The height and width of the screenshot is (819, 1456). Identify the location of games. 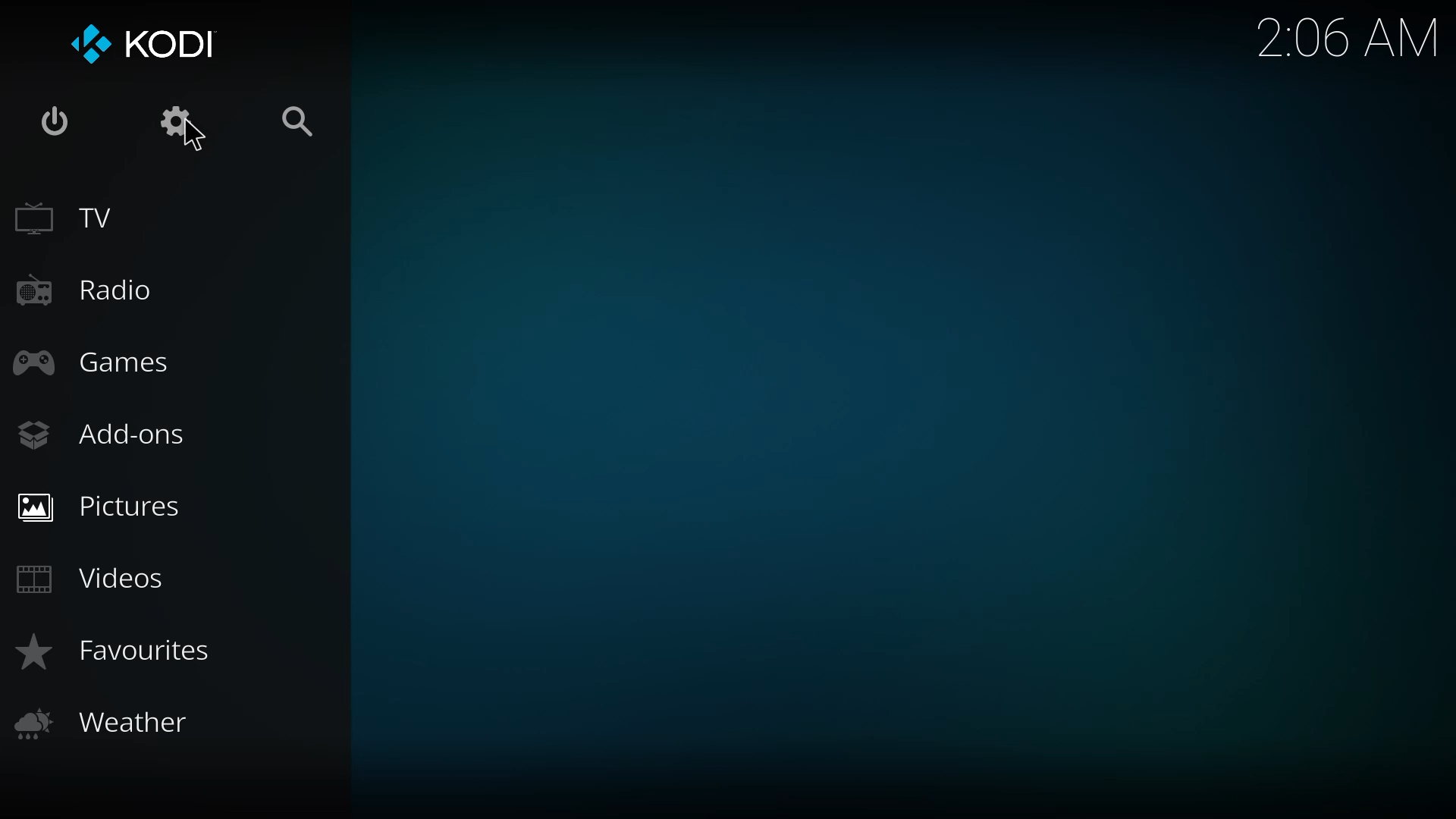
(98, 362).